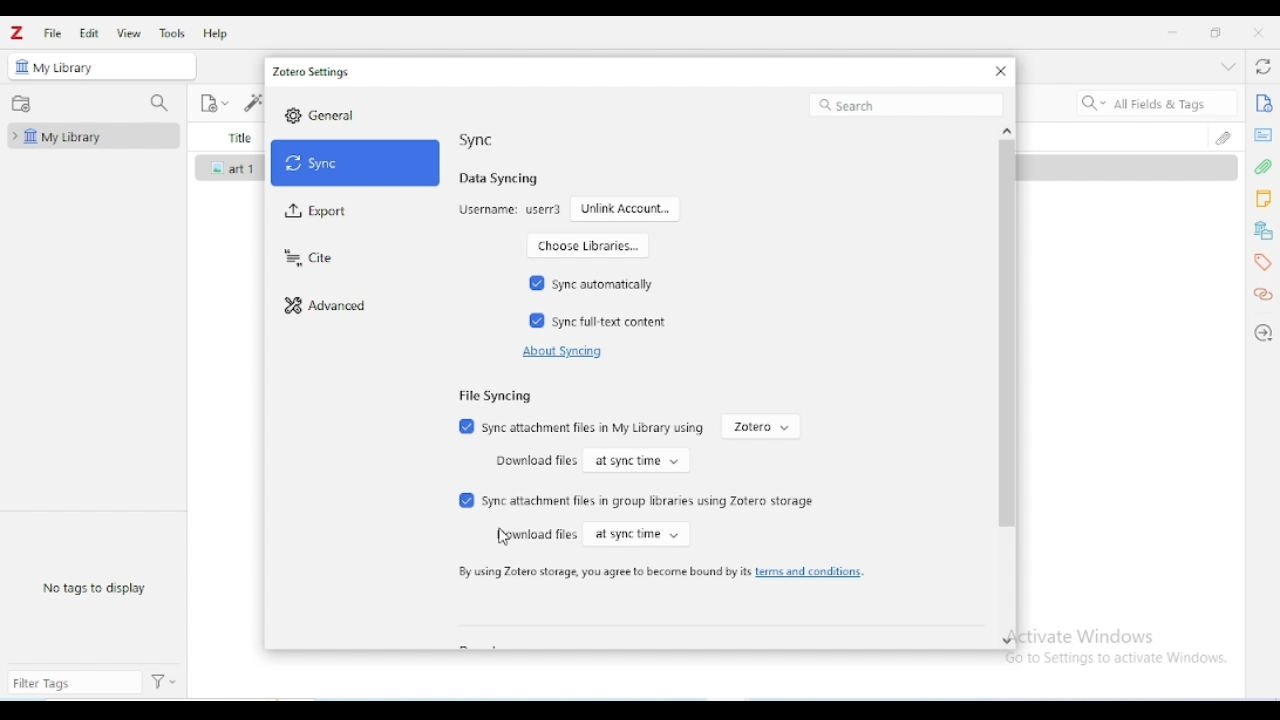  What do you see at coordinates (810, 572) in the screenshot?
I see `terms and conditions.` at bounding box center [810, 572].